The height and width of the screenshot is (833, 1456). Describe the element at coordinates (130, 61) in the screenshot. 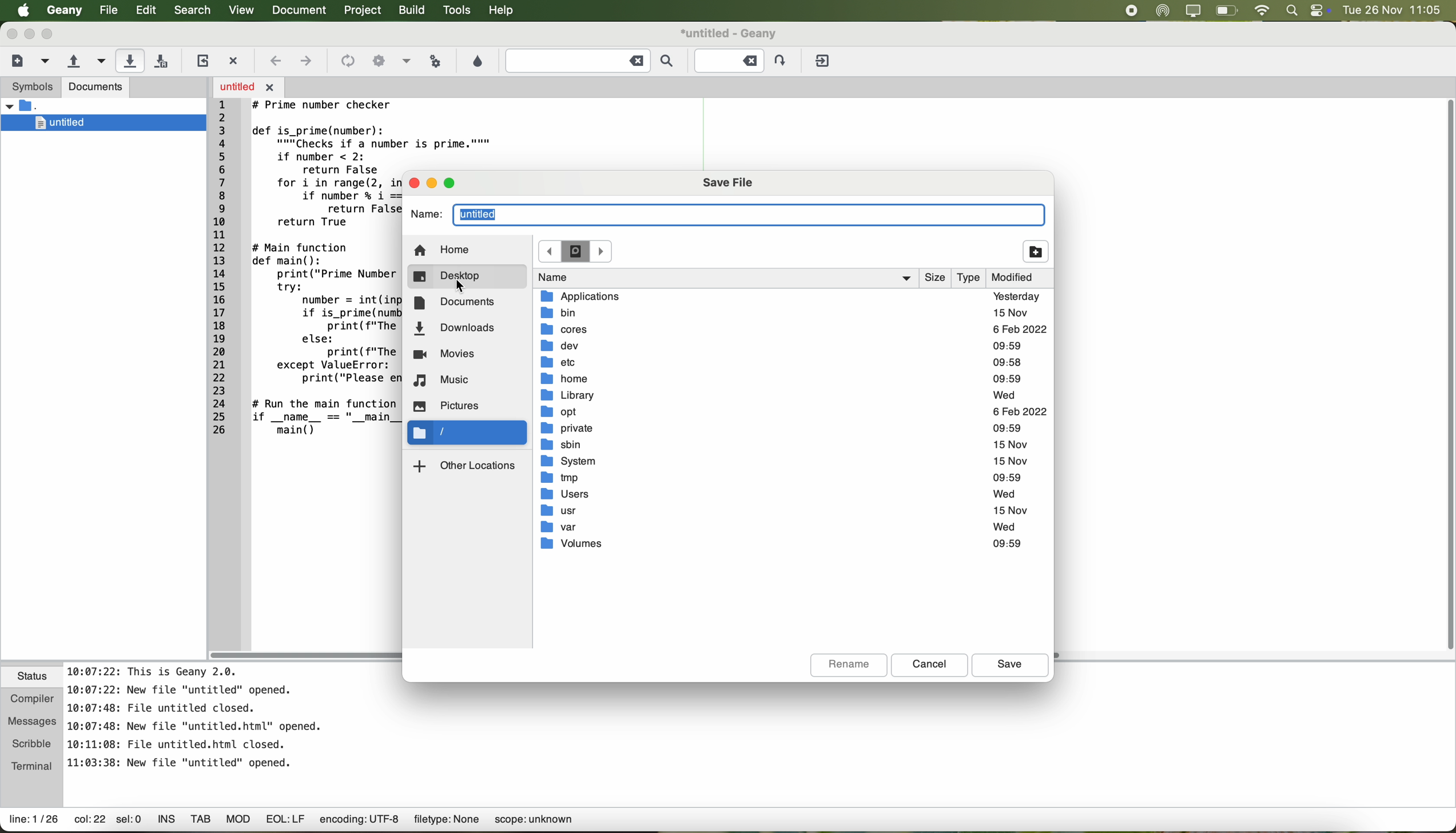

I see `click on save the current file` at that location.